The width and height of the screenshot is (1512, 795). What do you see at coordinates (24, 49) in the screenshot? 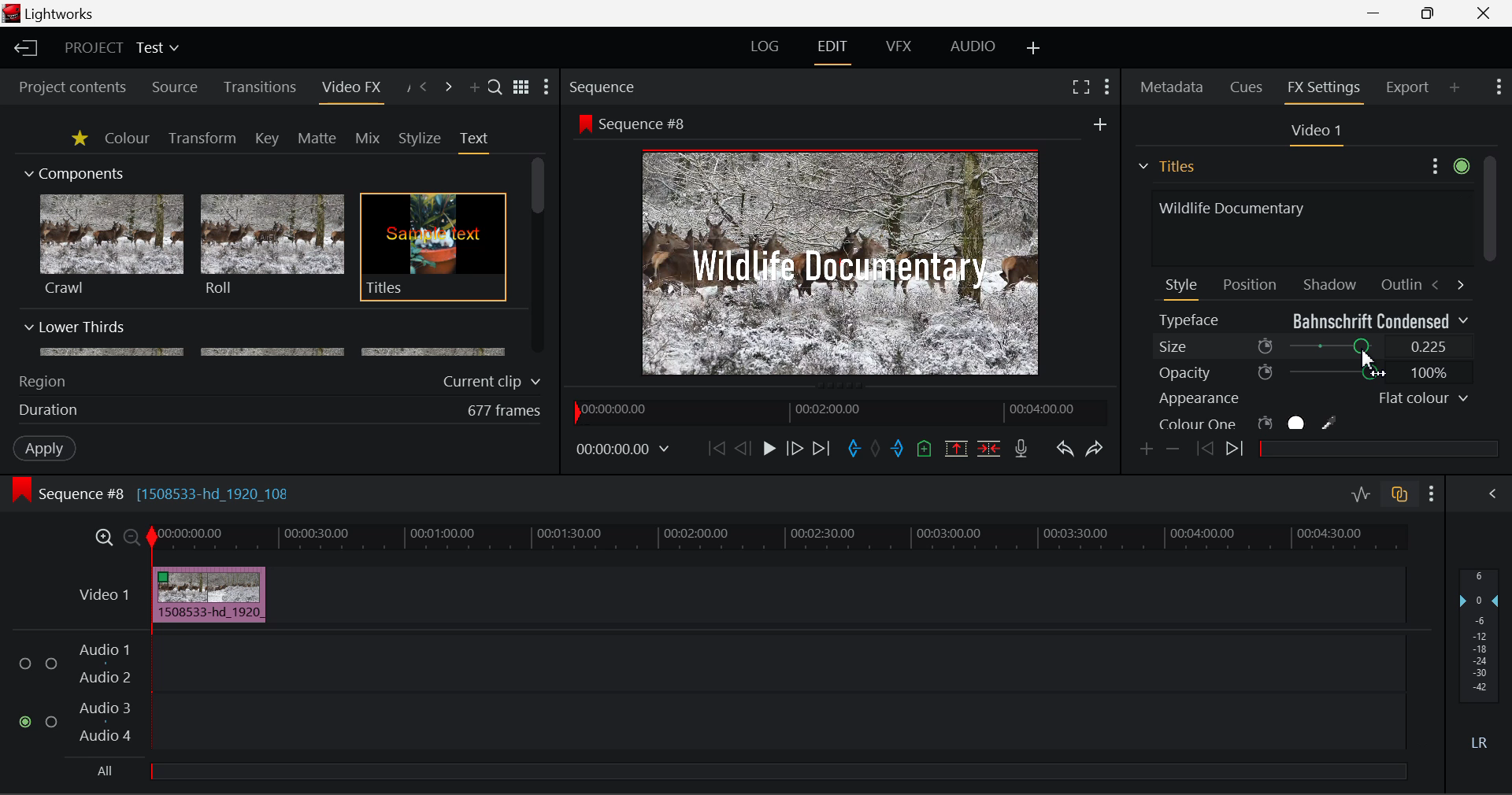
I see `Back to Homepage` at bounding box center [24, 49].